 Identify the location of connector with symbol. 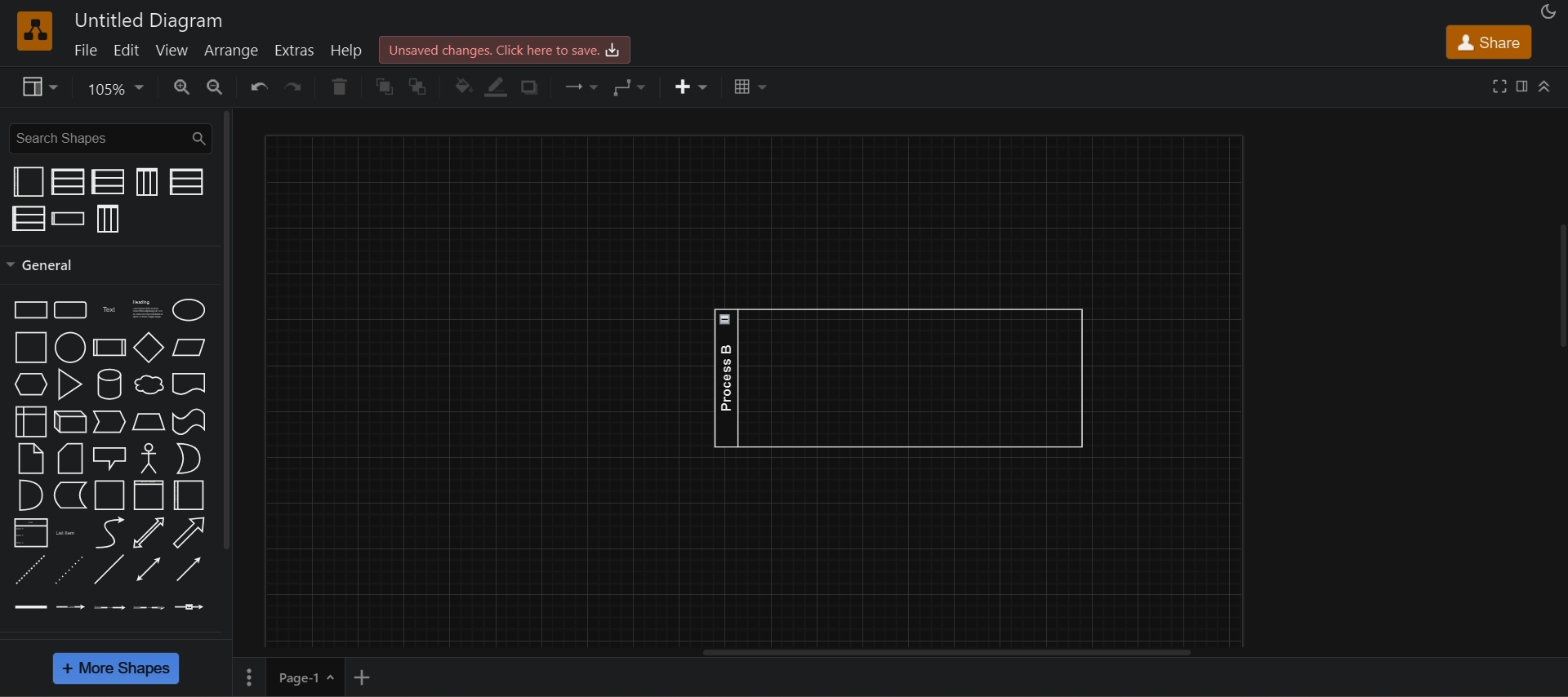
(189, 606).